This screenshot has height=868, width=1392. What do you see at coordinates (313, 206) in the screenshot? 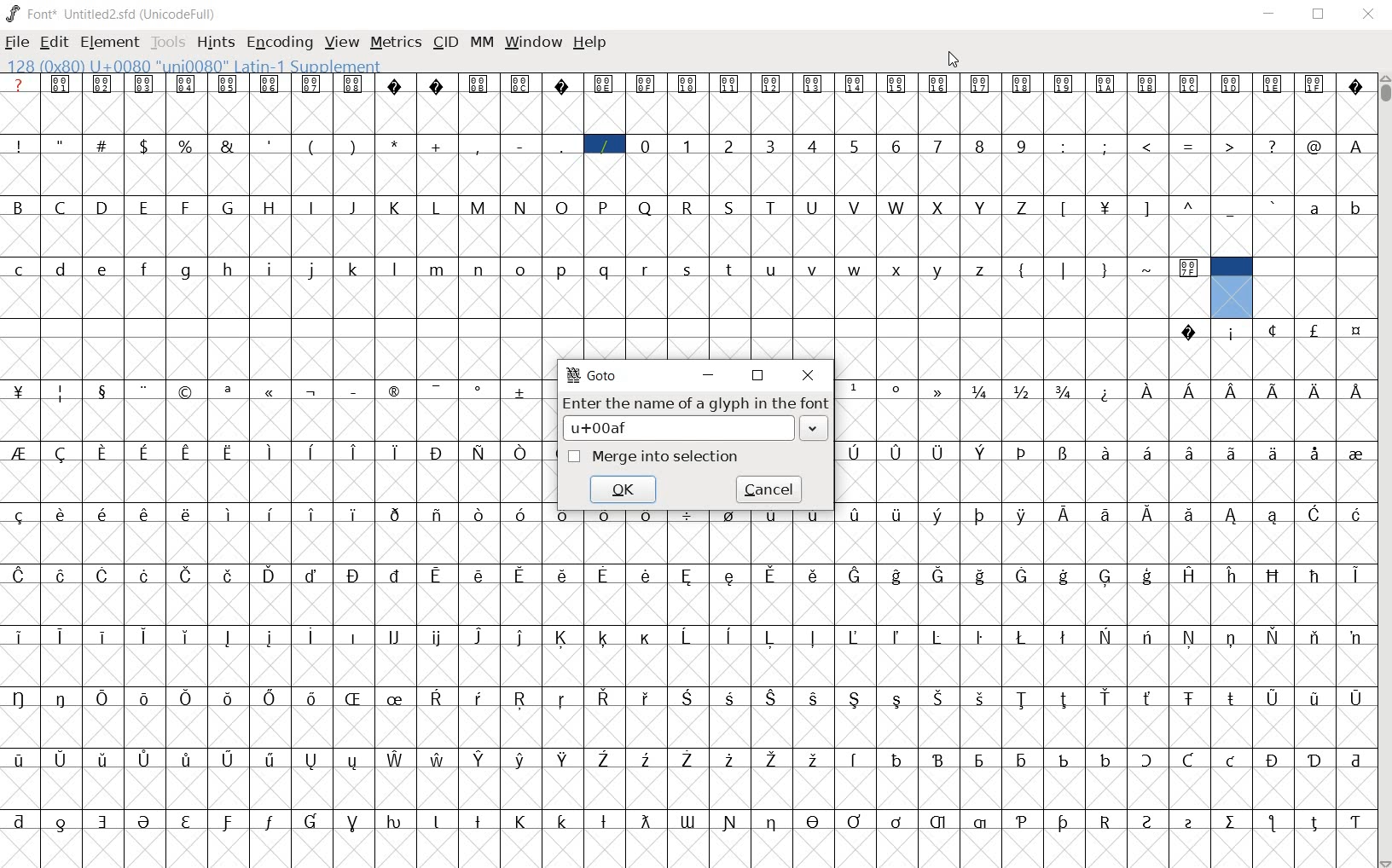
I see `I` at bounding box center [313, 206].